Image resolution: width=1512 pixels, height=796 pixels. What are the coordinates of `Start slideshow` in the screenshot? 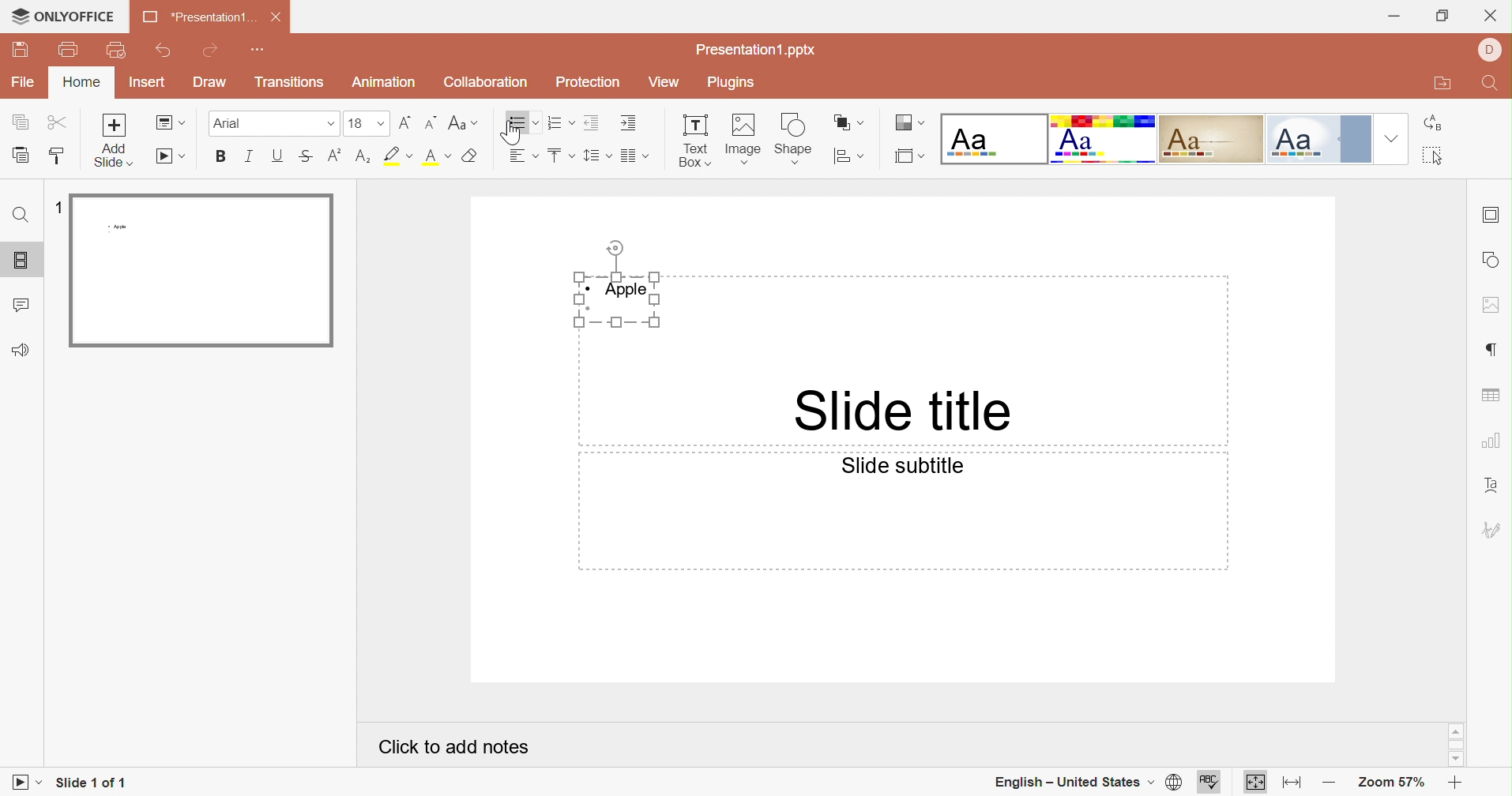 It's located at (171, 157).